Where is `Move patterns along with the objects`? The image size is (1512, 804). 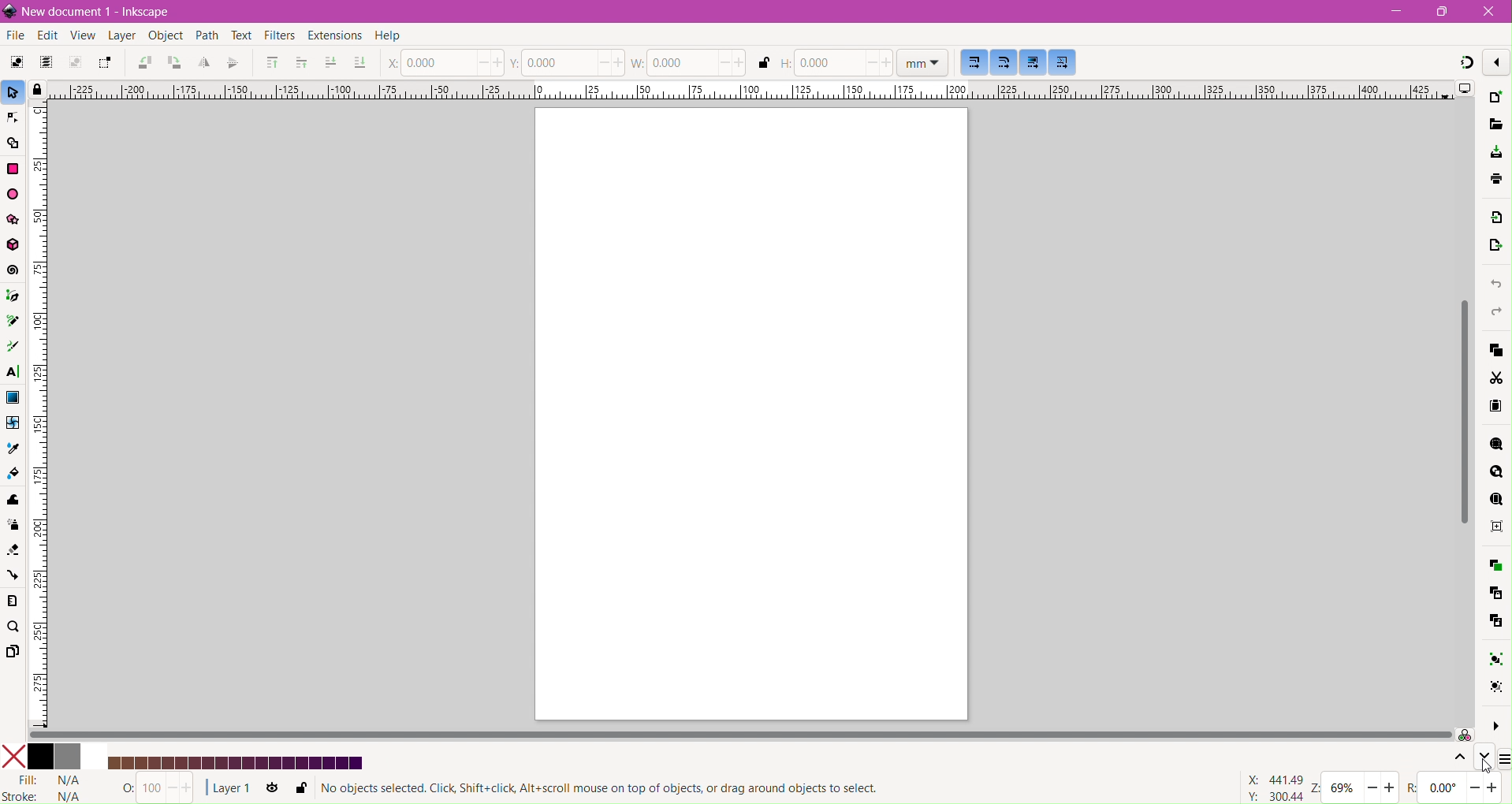 Move patterns along with the objects is located at coordinates (1063, 63).